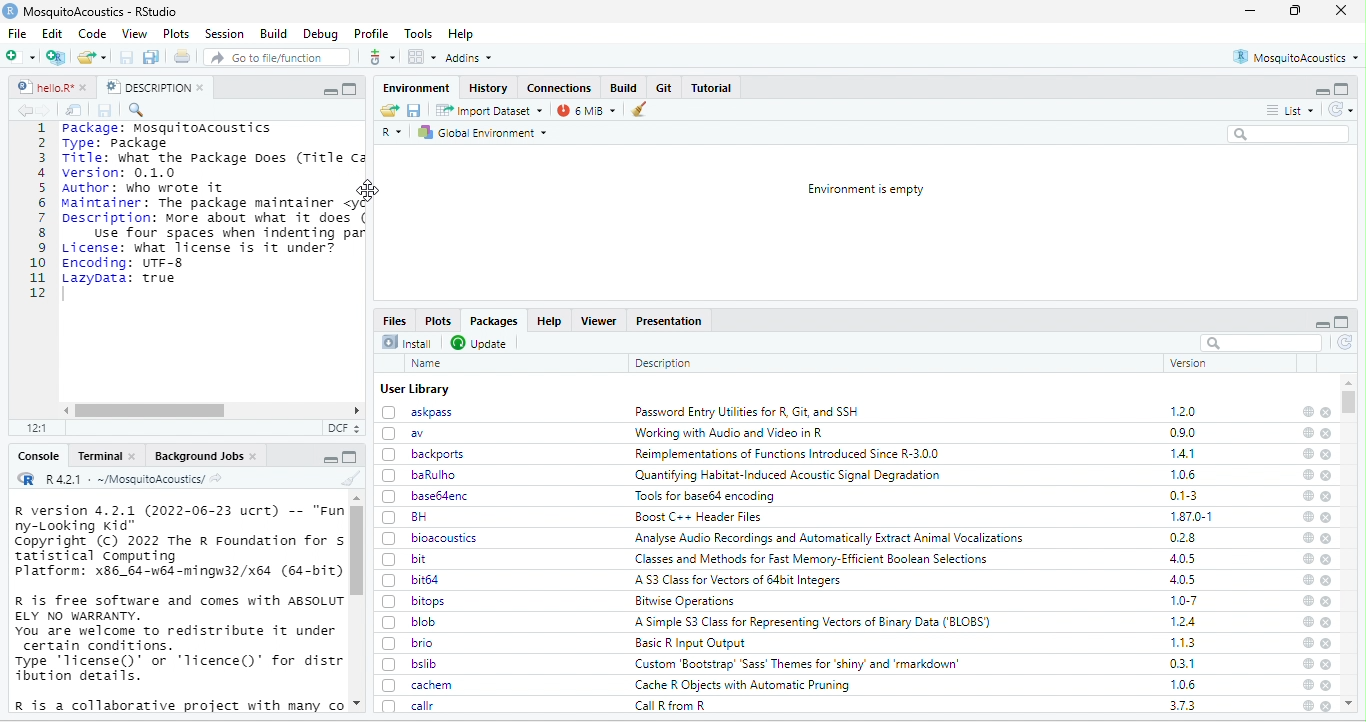 This screenshot has height=722, width=1366. Describe the element at coordinates (415, 411) in the screenshot. I see `askpass` at that location.